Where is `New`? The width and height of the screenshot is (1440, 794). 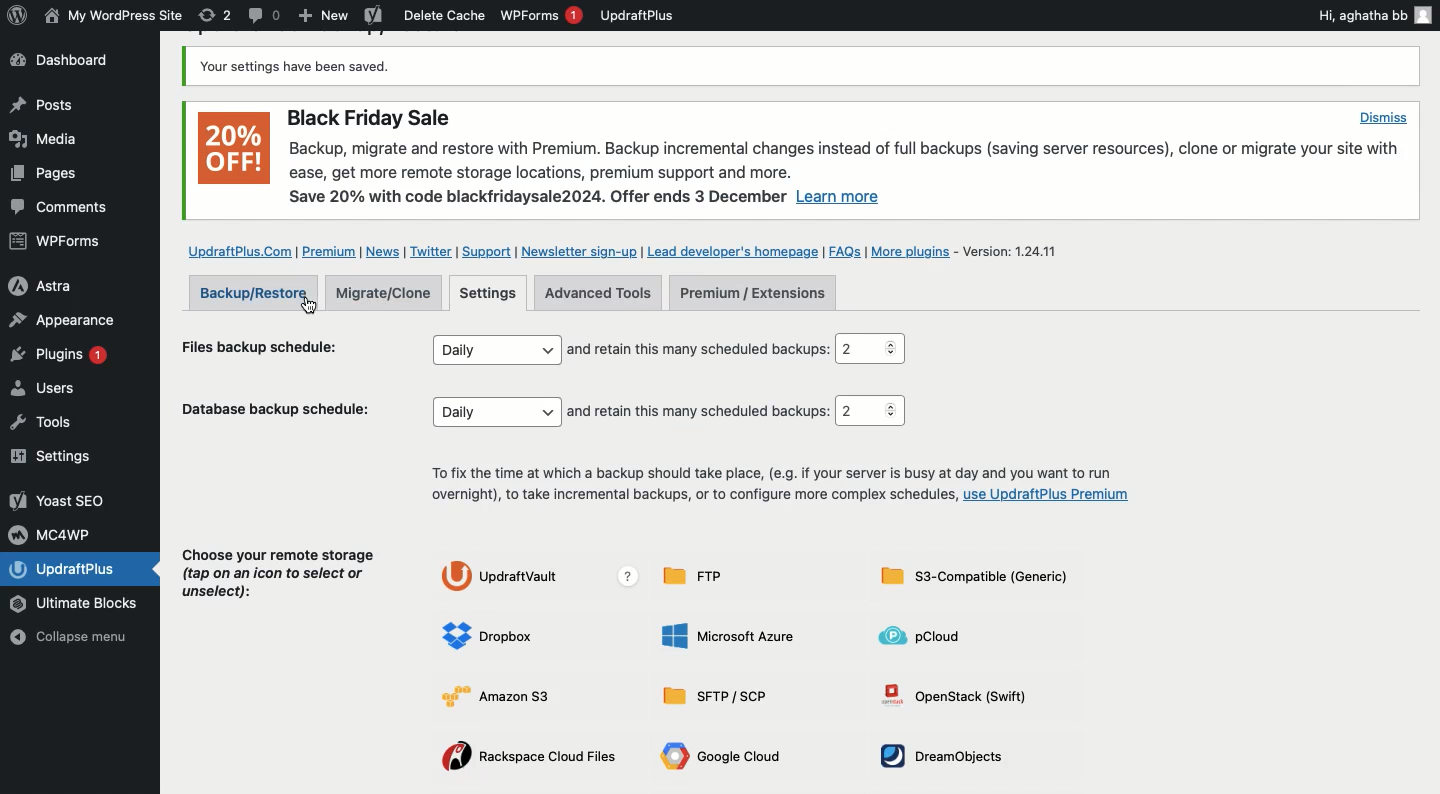
New is located at coordinates (324, 17).